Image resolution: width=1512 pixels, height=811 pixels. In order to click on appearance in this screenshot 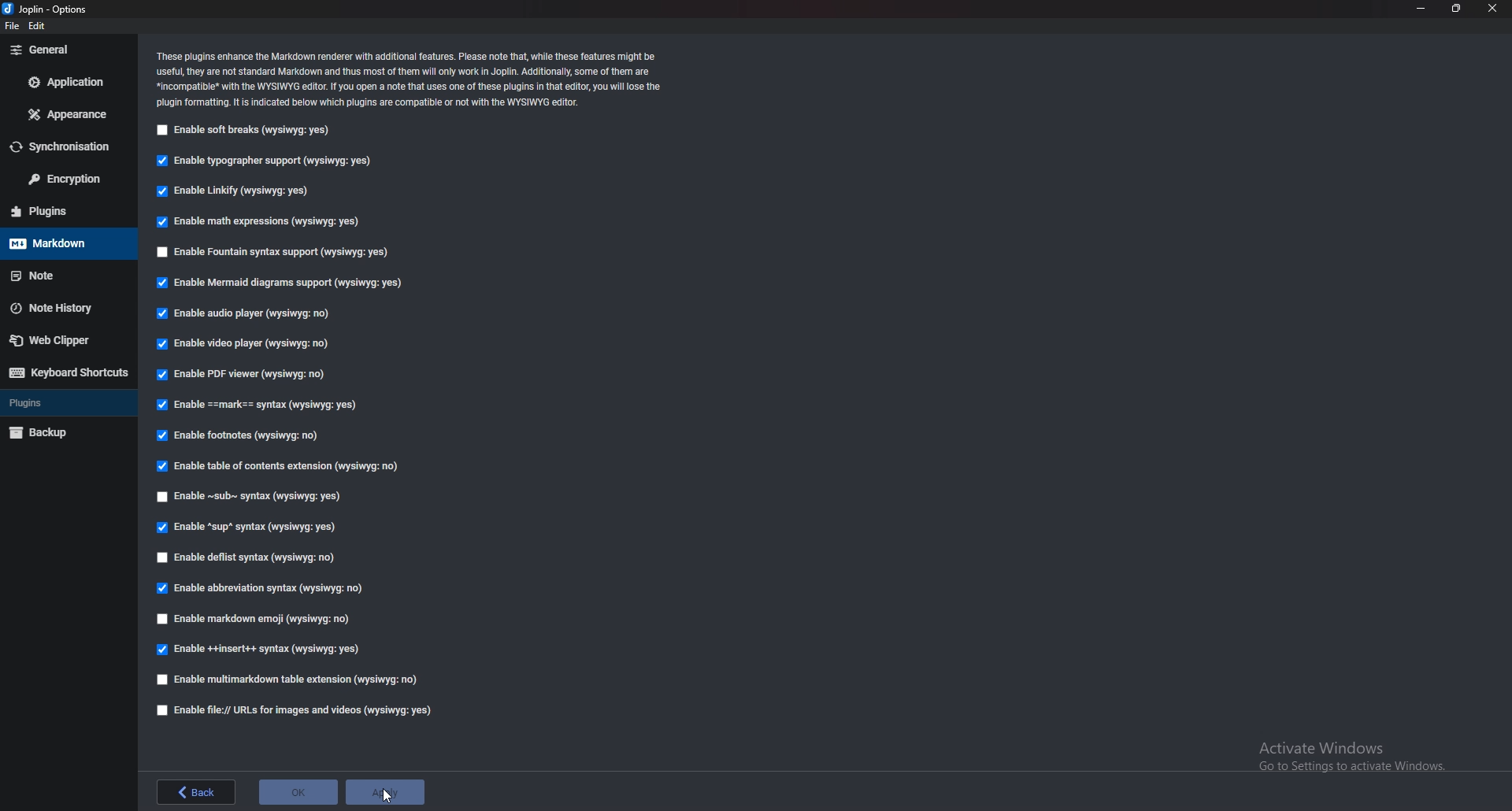, I will do `click(67, 114)`.